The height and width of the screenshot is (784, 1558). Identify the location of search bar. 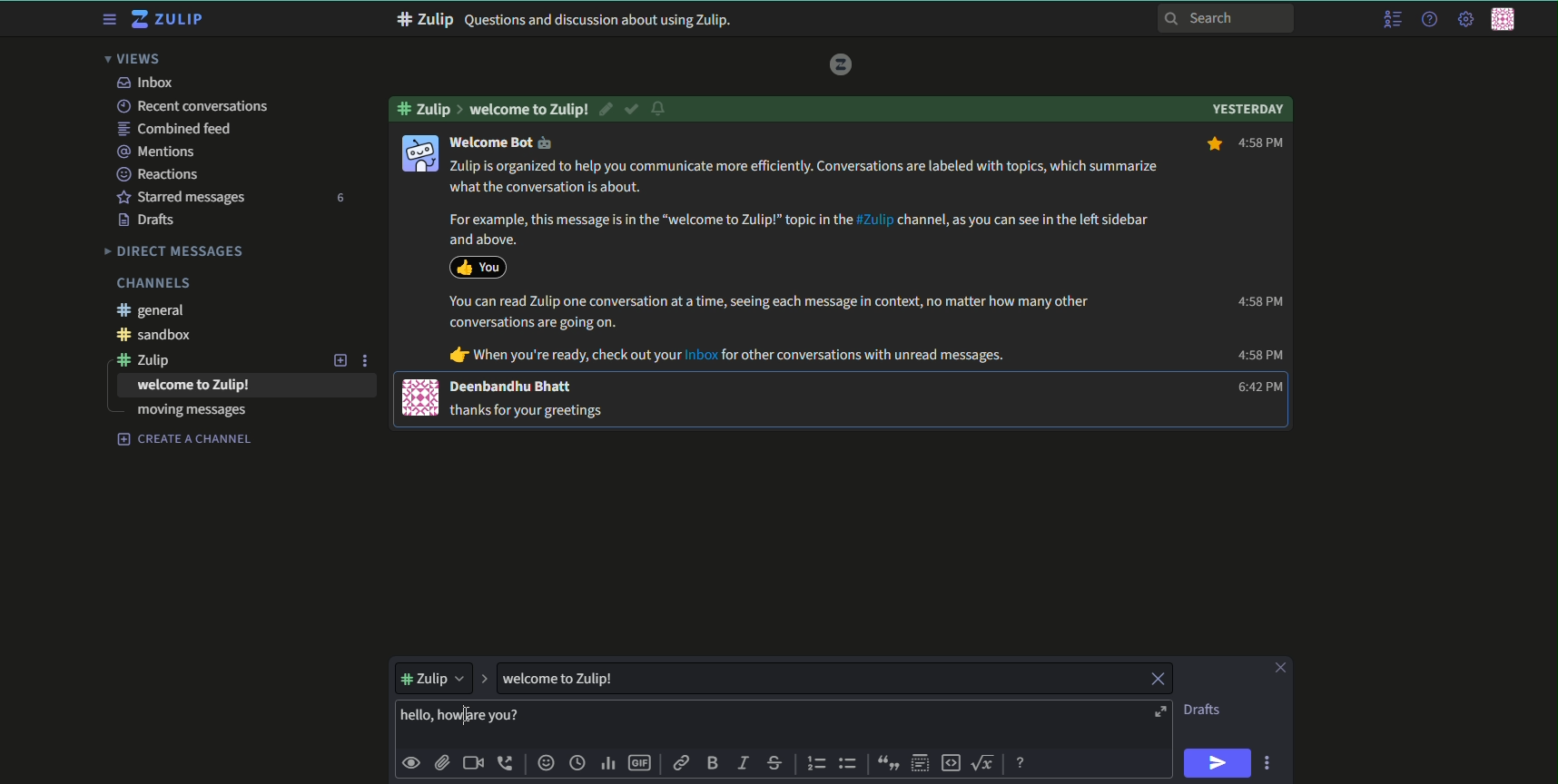
(1227, 17).